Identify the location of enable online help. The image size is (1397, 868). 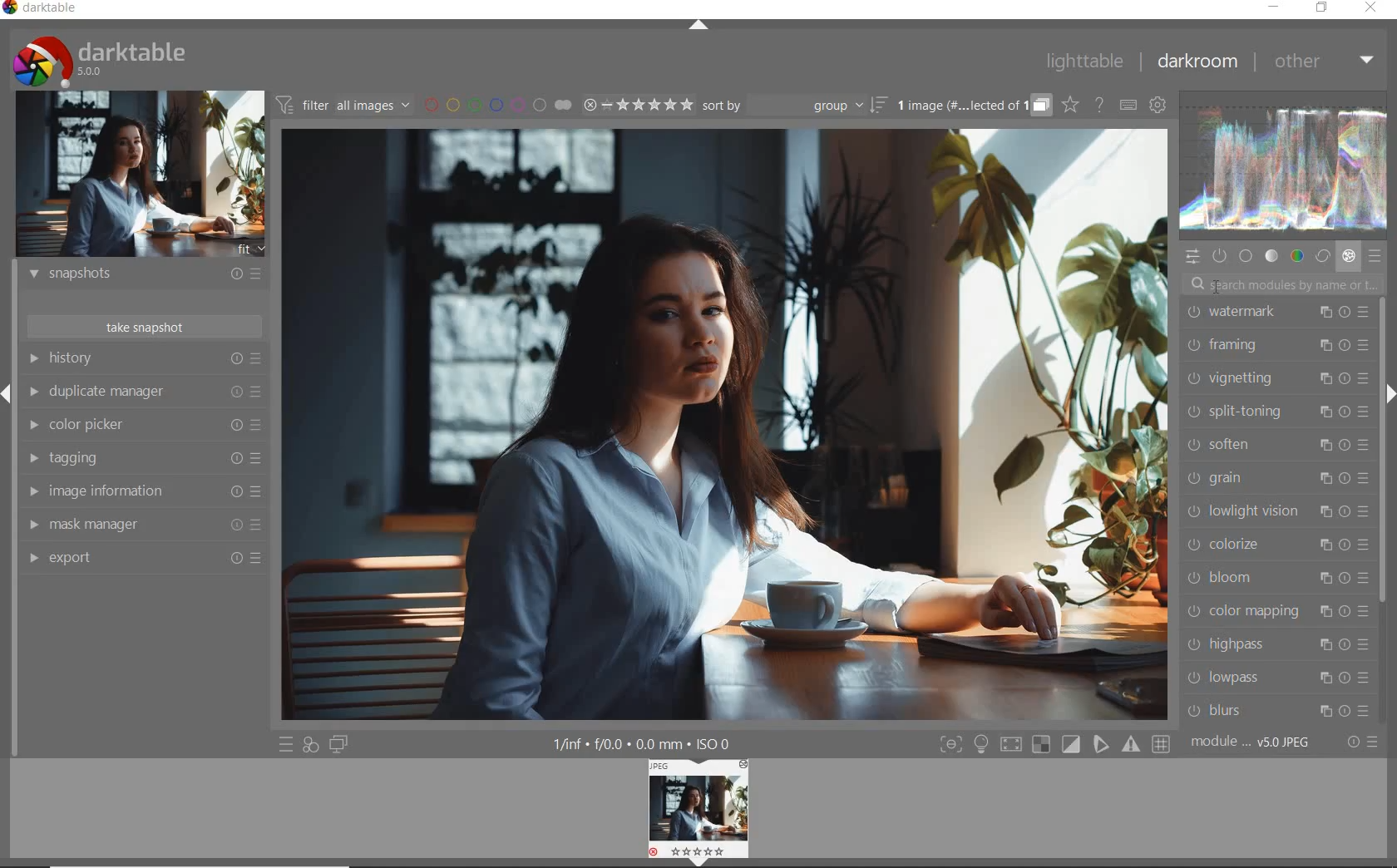
(1099, 106).